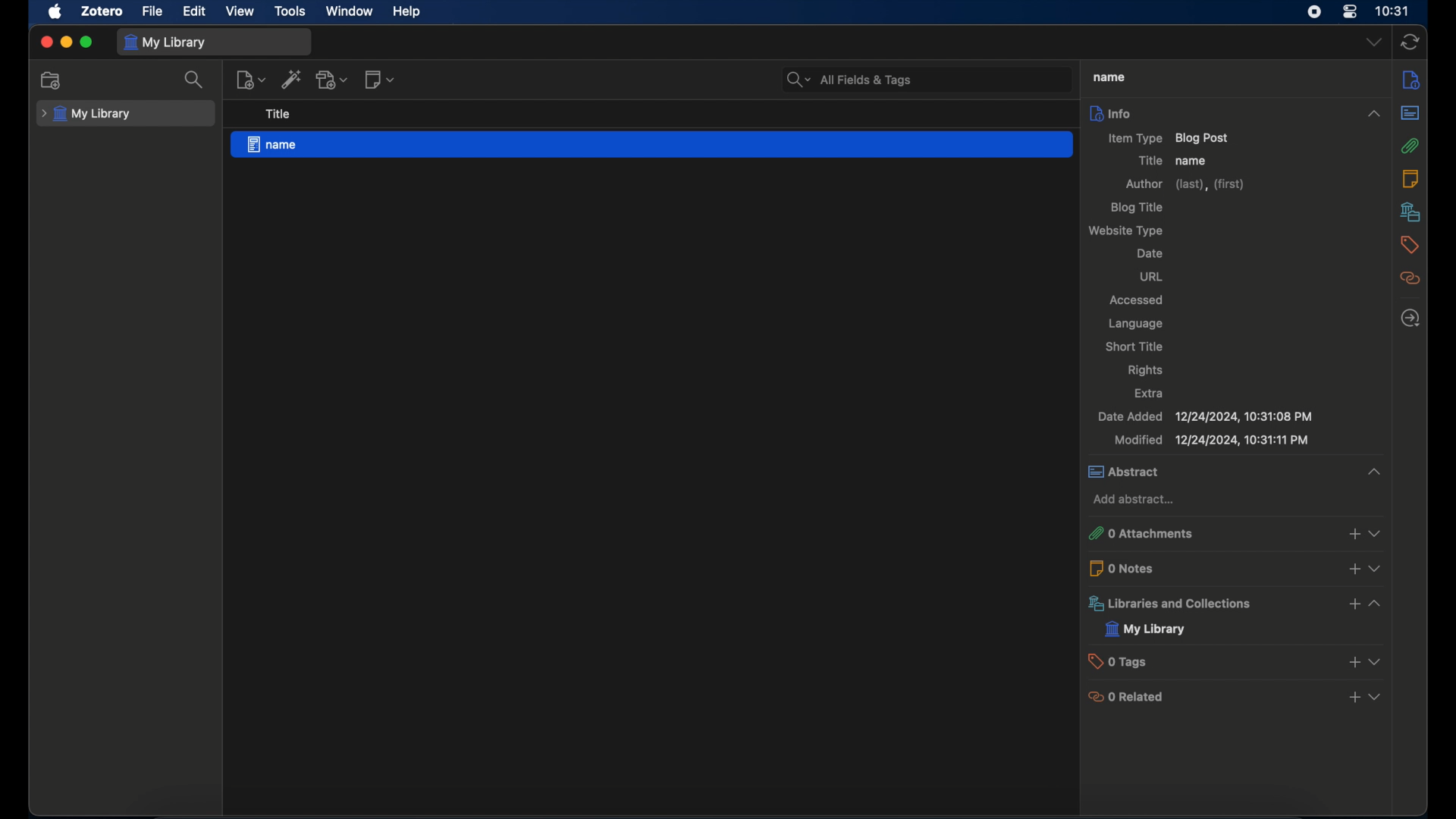  Describe the element at coordinates (86, 114) in the screenshot. I see `my library` at that location.